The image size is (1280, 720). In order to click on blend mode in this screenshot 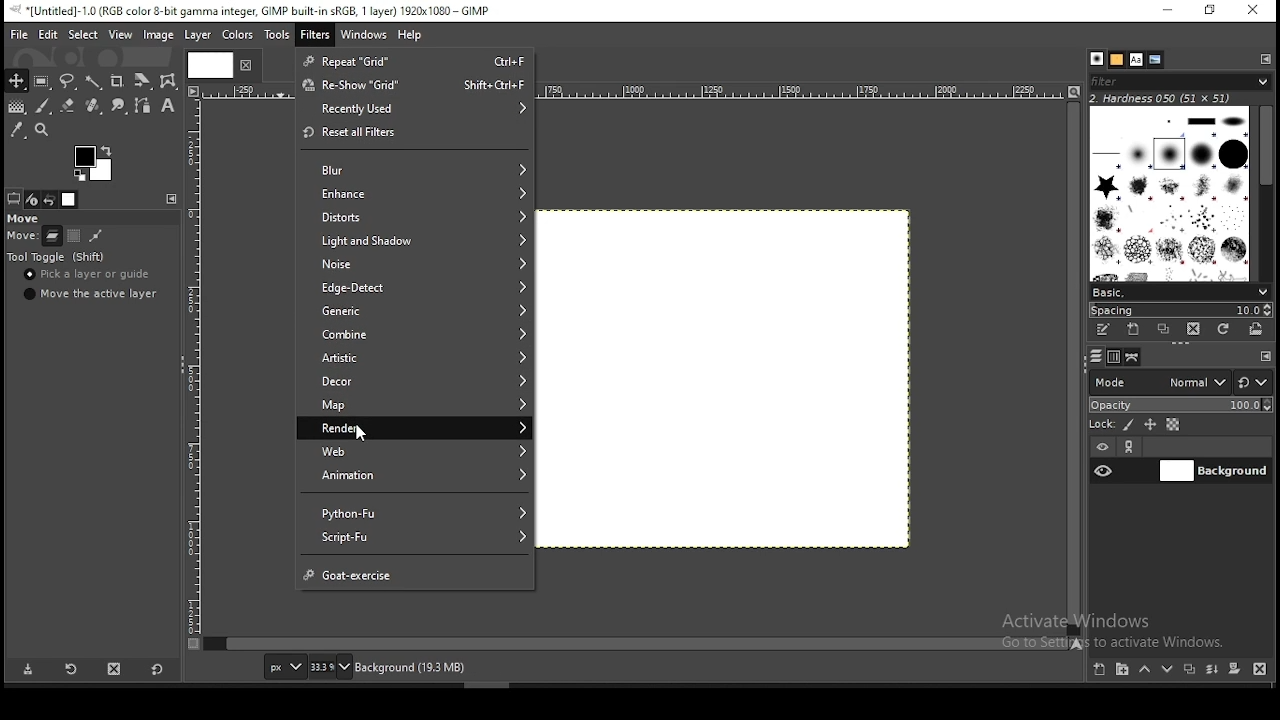, I will do `click(1180, 382)`.